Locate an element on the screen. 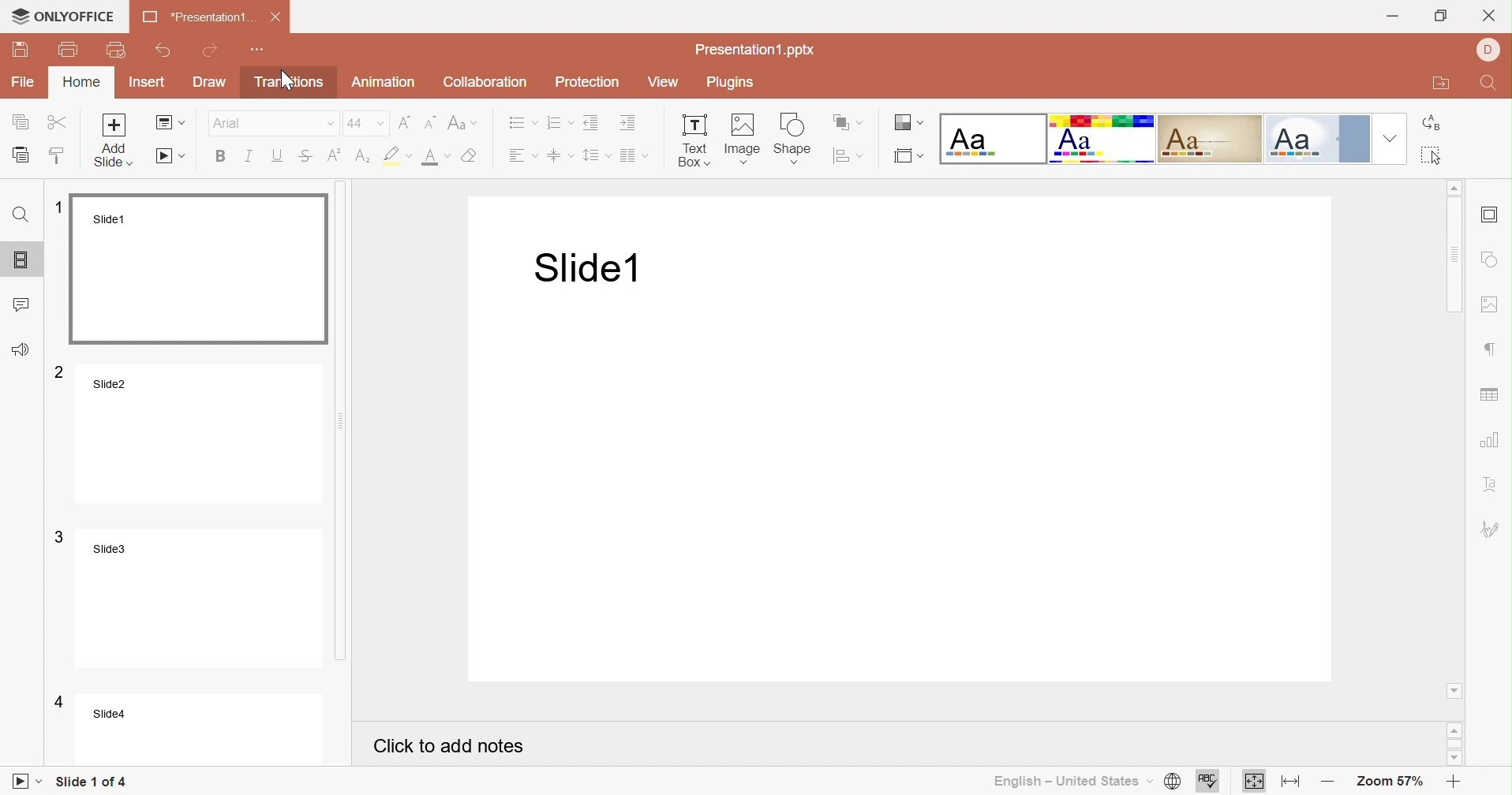  Home is located at coordinates (80, 81).